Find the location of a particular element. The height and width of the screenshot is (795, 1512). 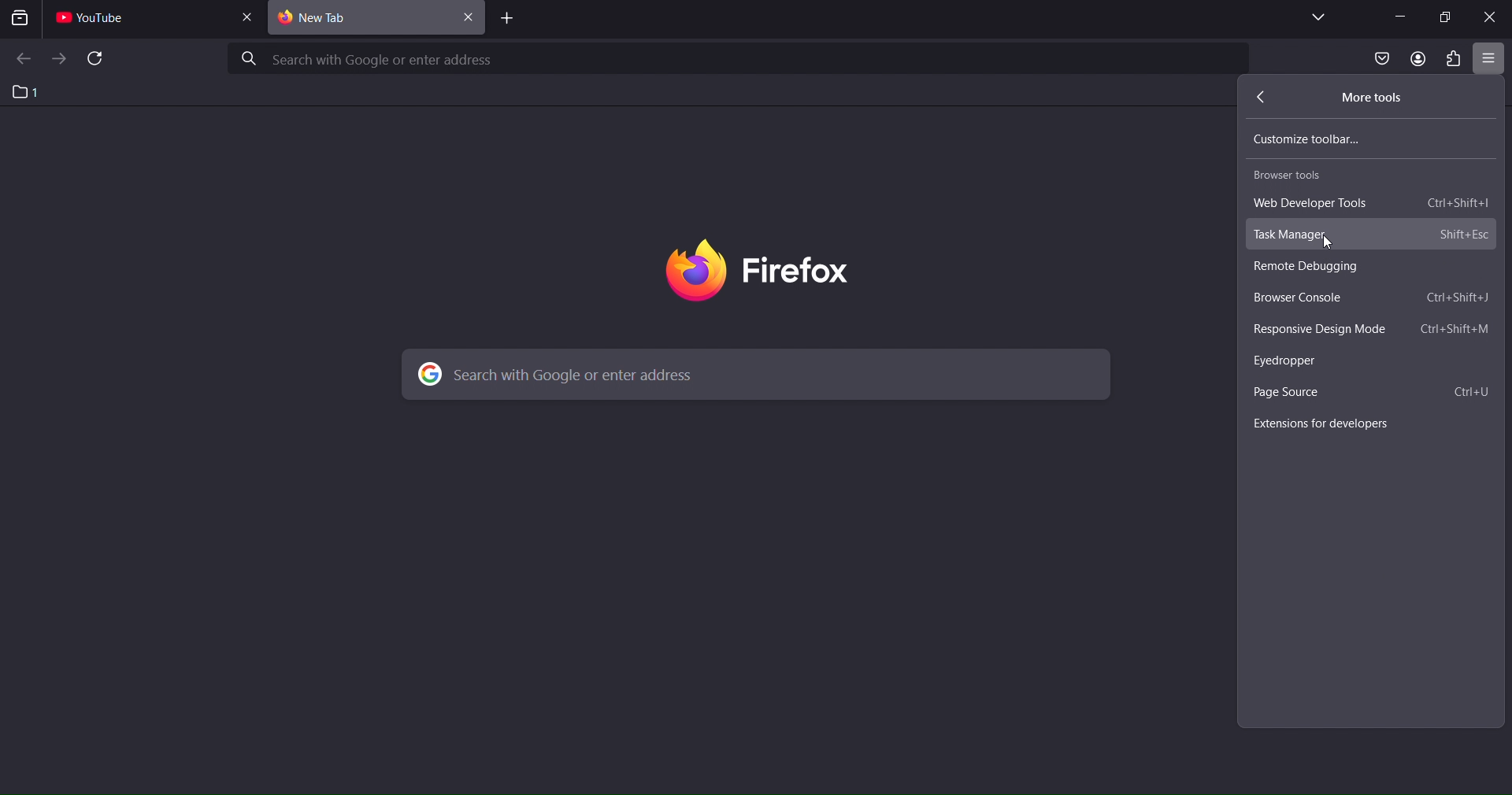

extensions is located at coordinates (1456, 59).